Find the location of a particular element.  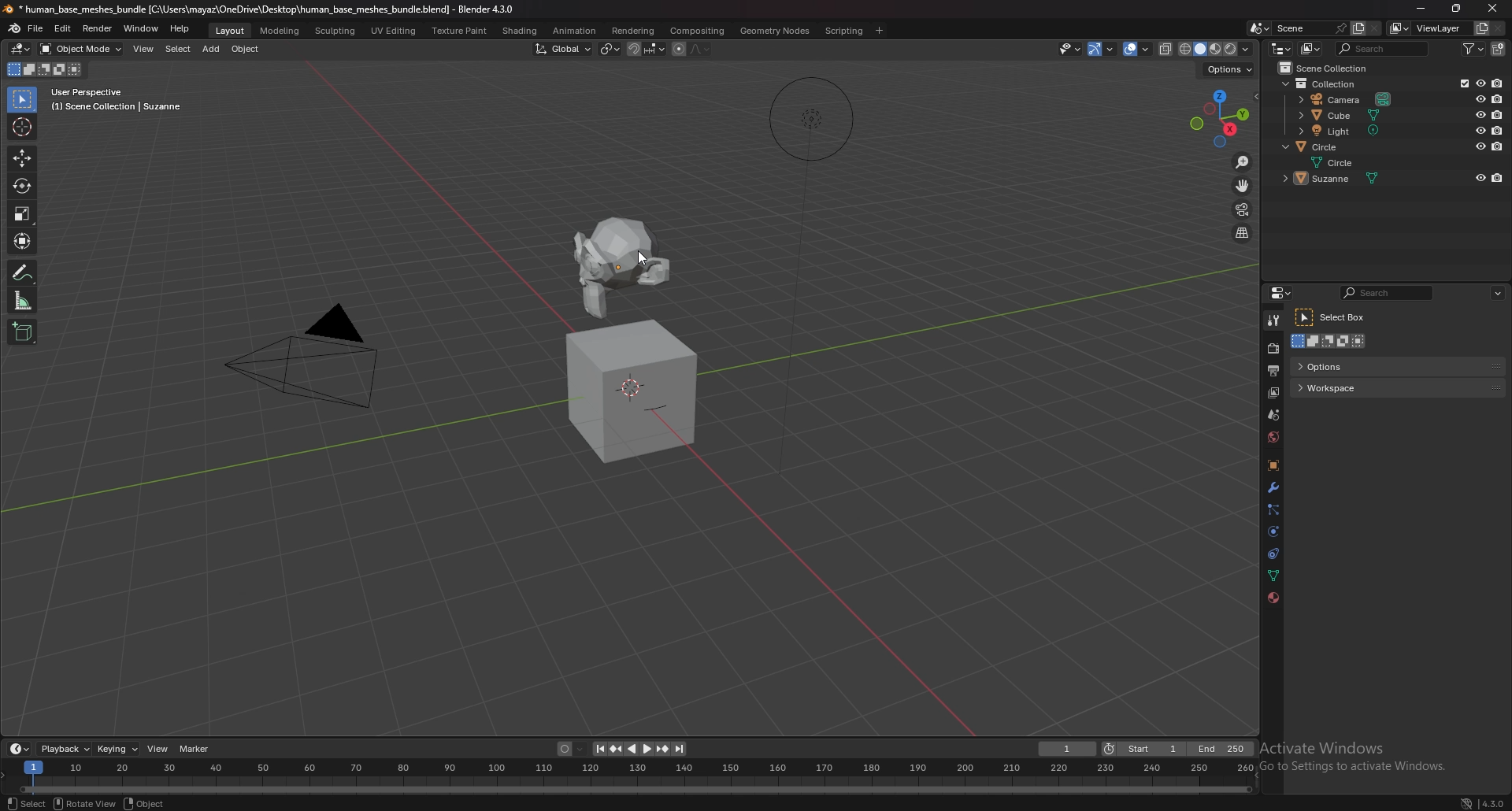

window is located at coordinates (142, 28).